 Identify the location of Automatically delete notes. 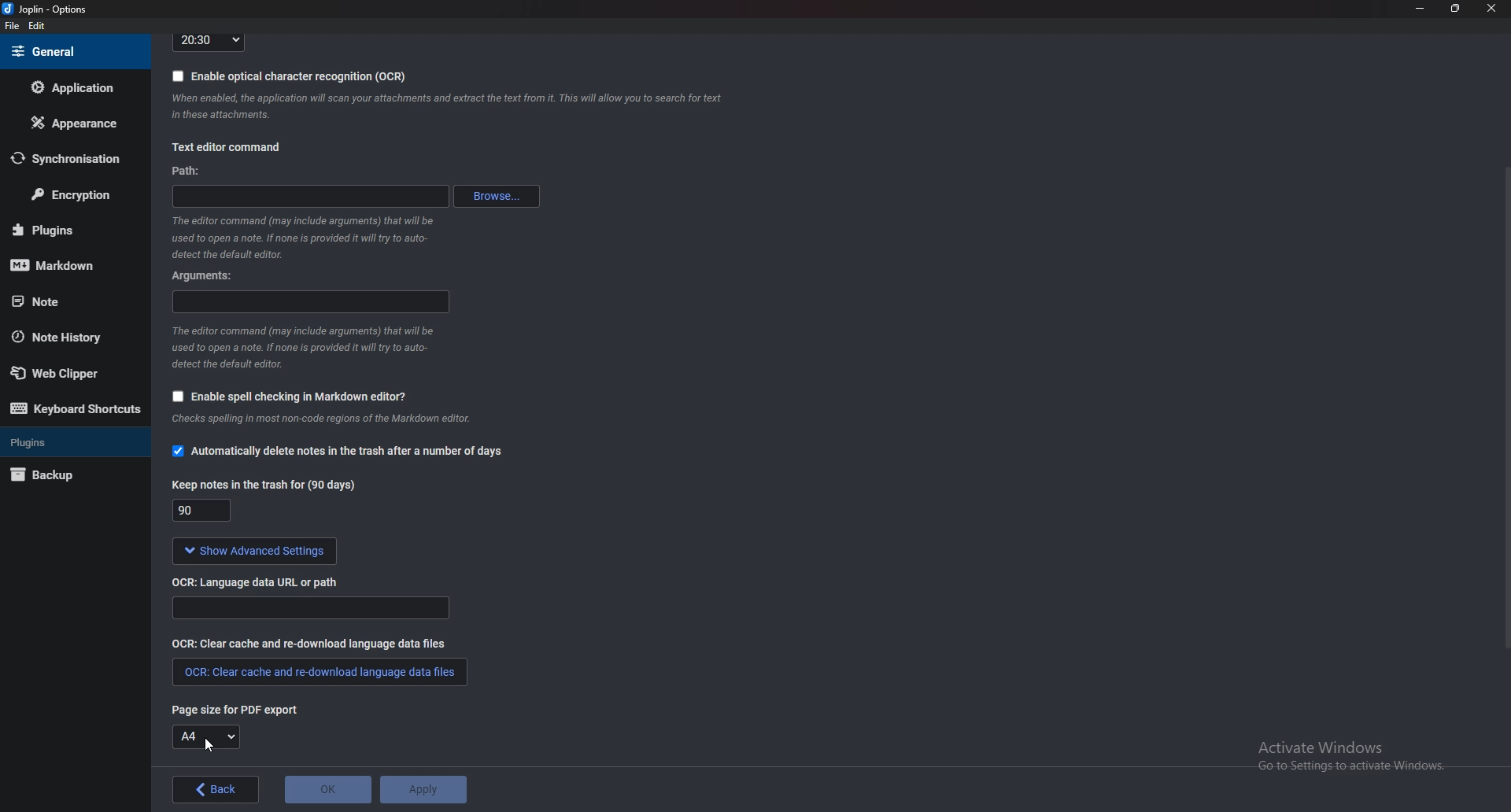
(337, 453).